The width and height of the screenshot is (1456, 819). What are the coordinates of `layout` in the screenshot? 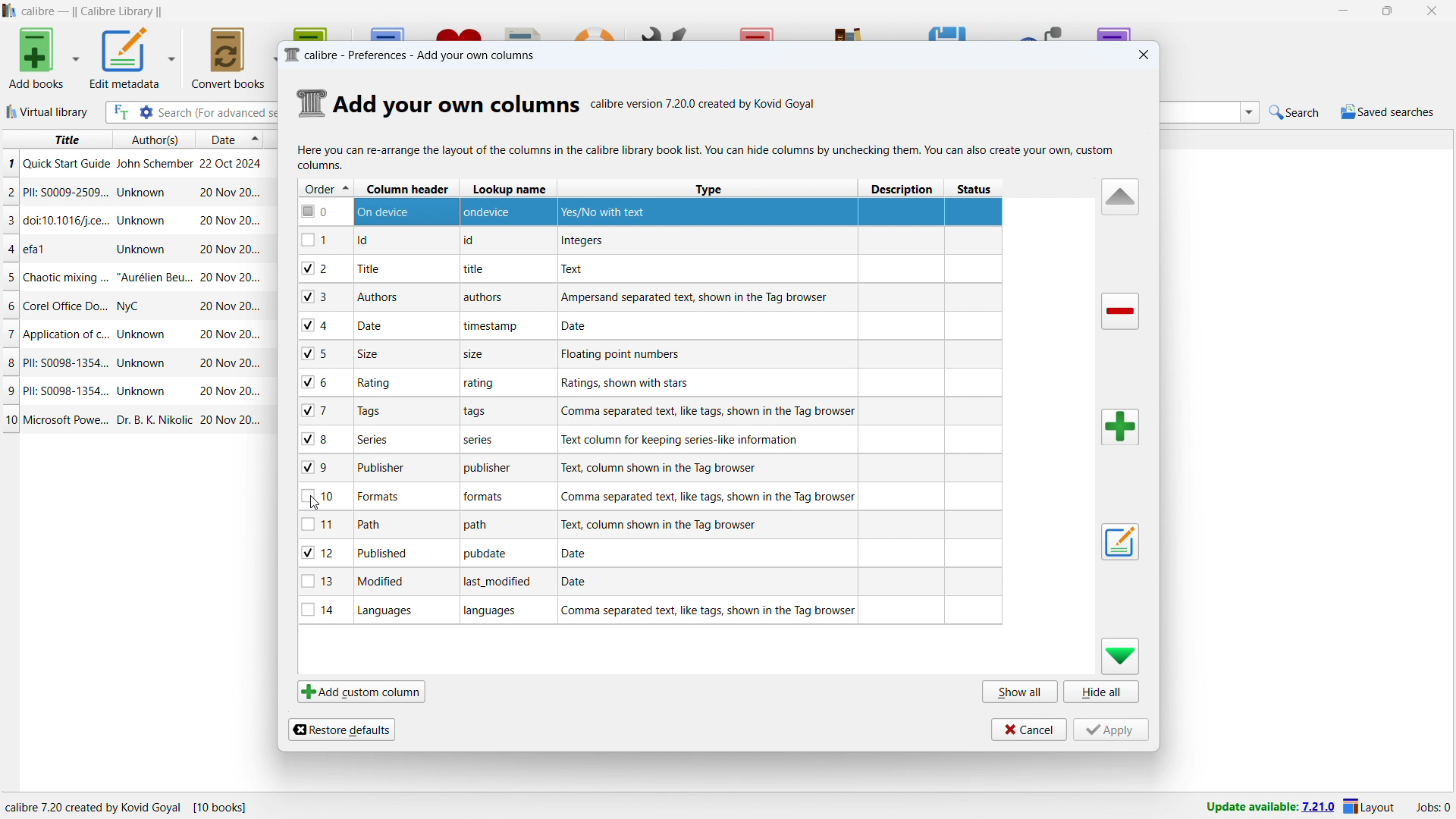 It's located at (1370, 806).